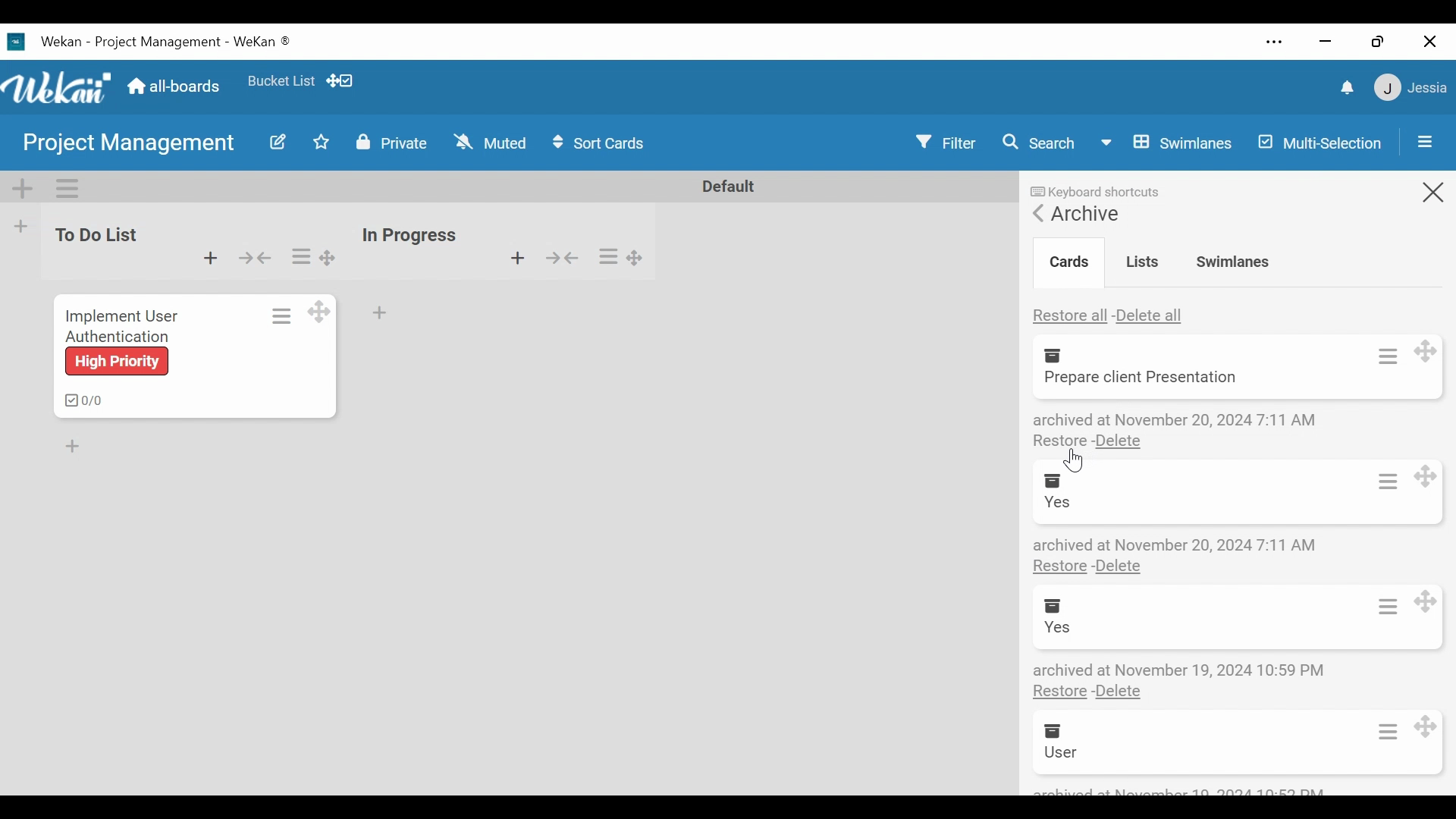  Describe the element at coordinates (949, 142) in the screenshot. I see `Filter` at that location.